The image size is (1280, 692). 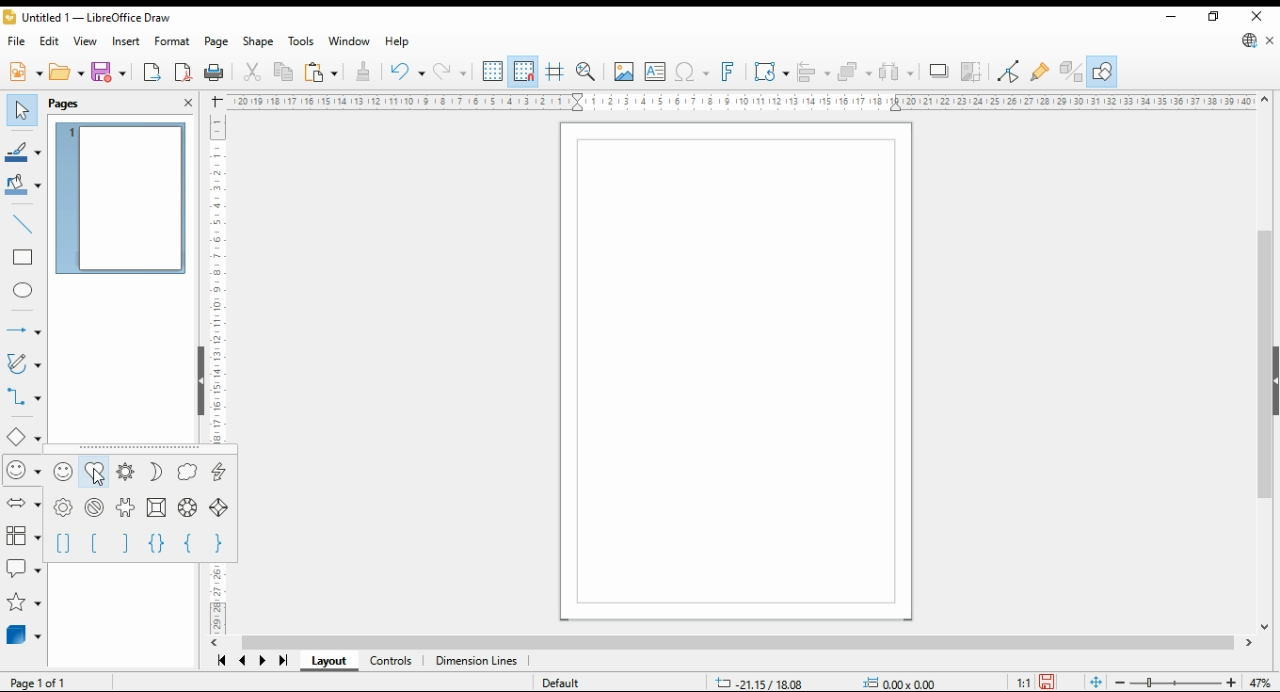 What do you see at coordinates (771, 71) in the screenshot?
I see `transformations` at bounding box center [771, 71].